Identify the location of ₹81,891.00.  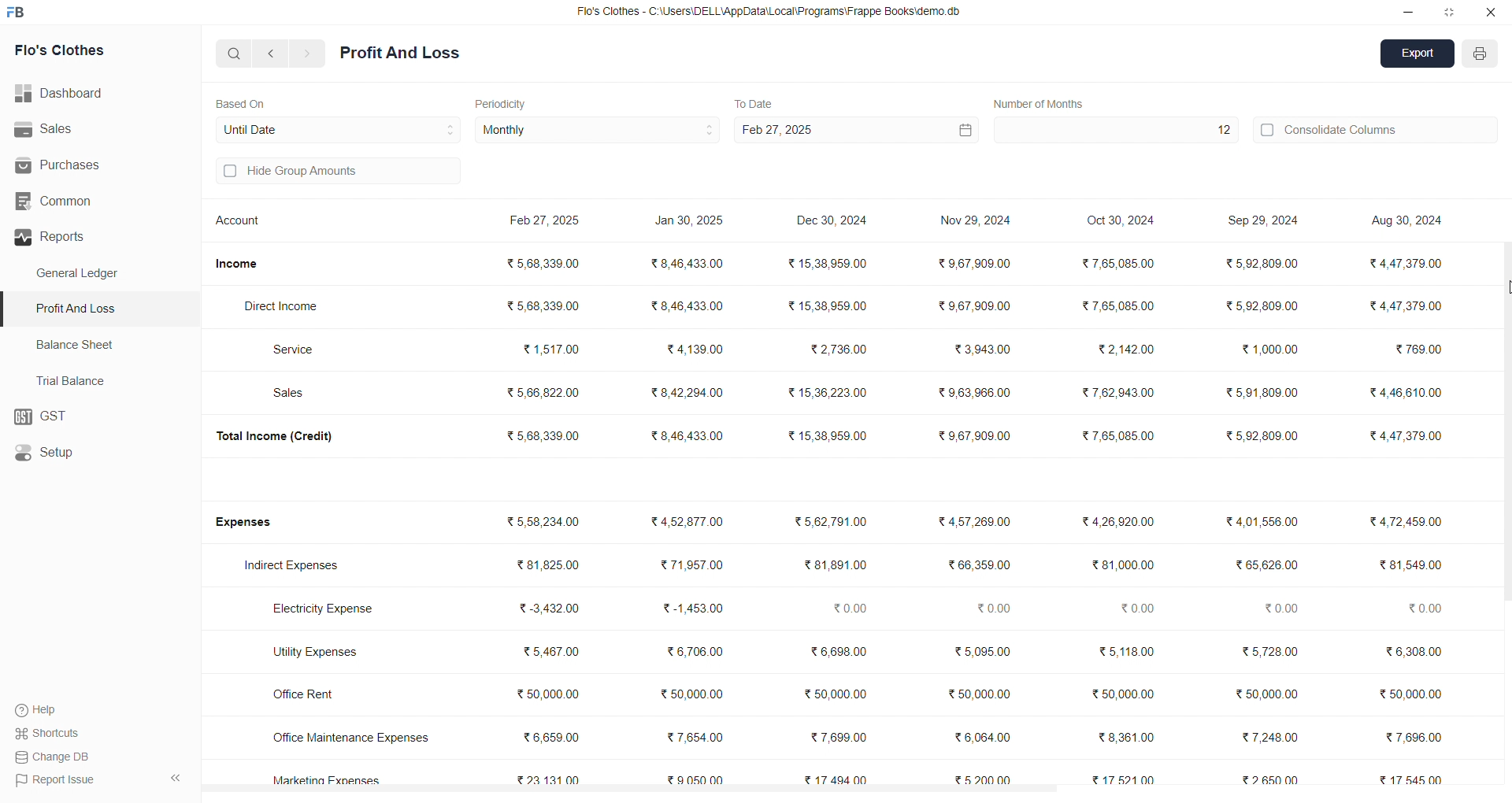
(841, 564).